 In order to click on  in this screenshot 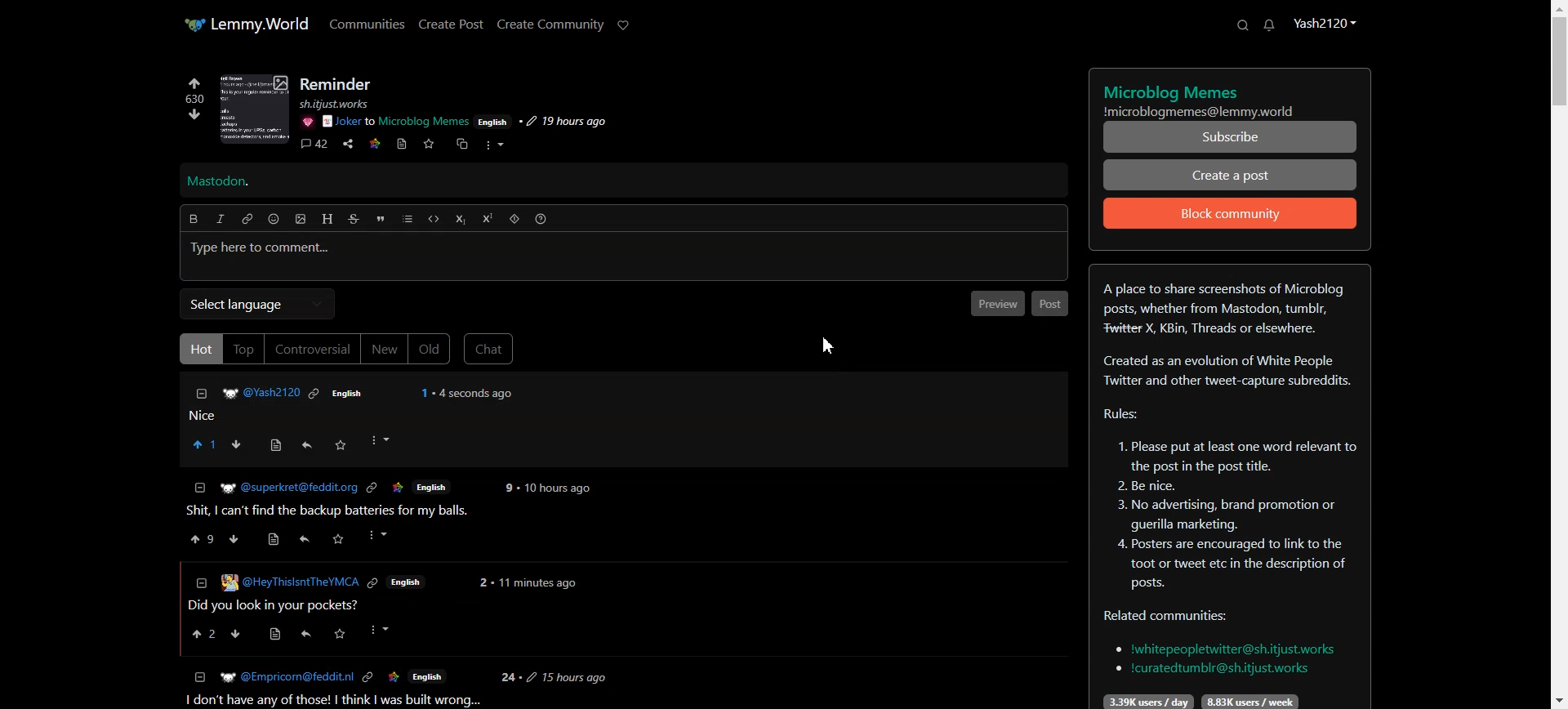, I will do `click(238, 541)`.